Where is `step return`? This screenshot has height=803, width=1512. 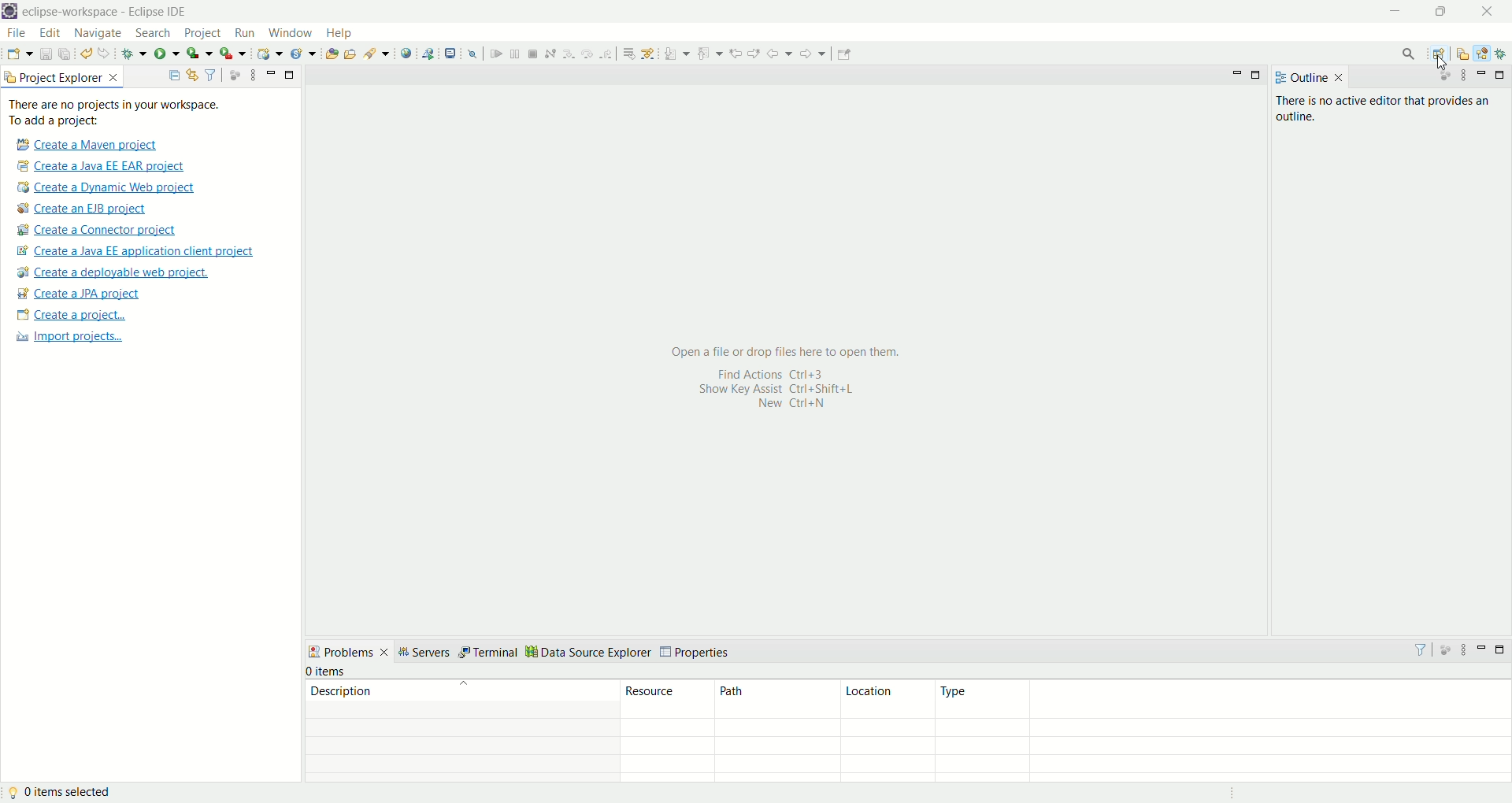
step return is located at coordinates (607, 54).